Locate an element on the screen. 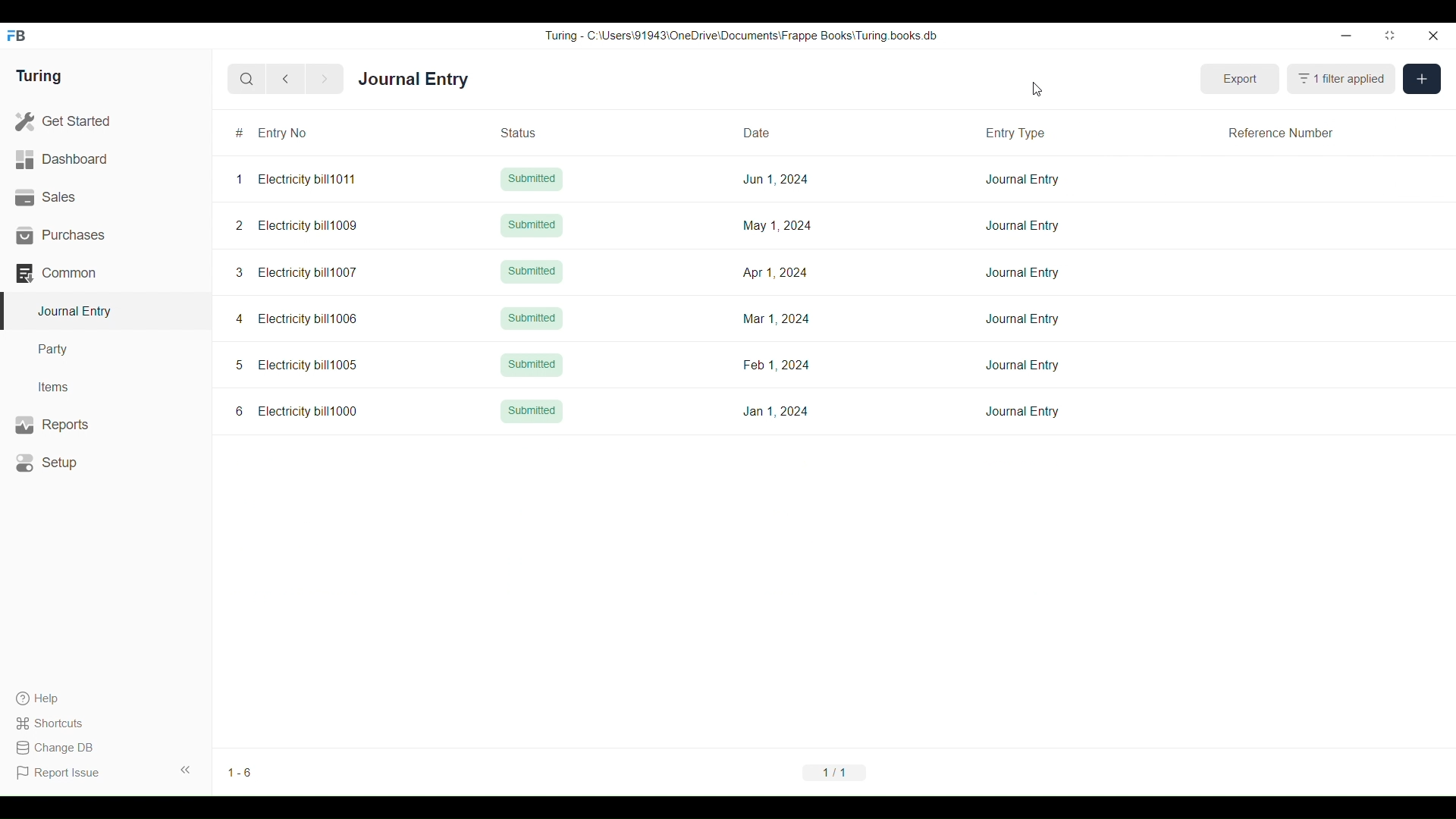 The image size is (1456, 819). Cursor is located at coordinates (1037, 89).